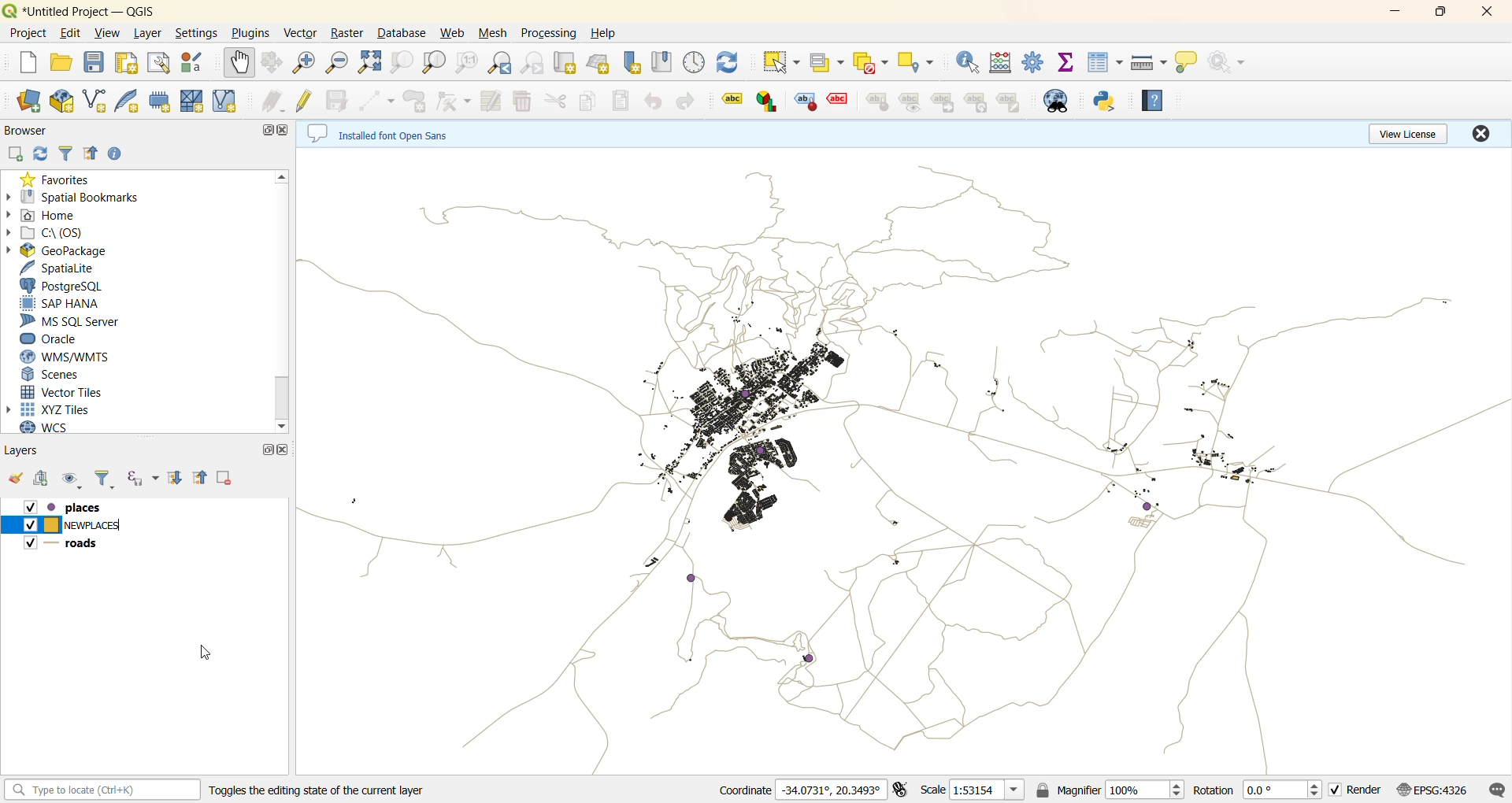  Describe the element at coordinates (69, 507) in the screenshot. I see `places` at that location.